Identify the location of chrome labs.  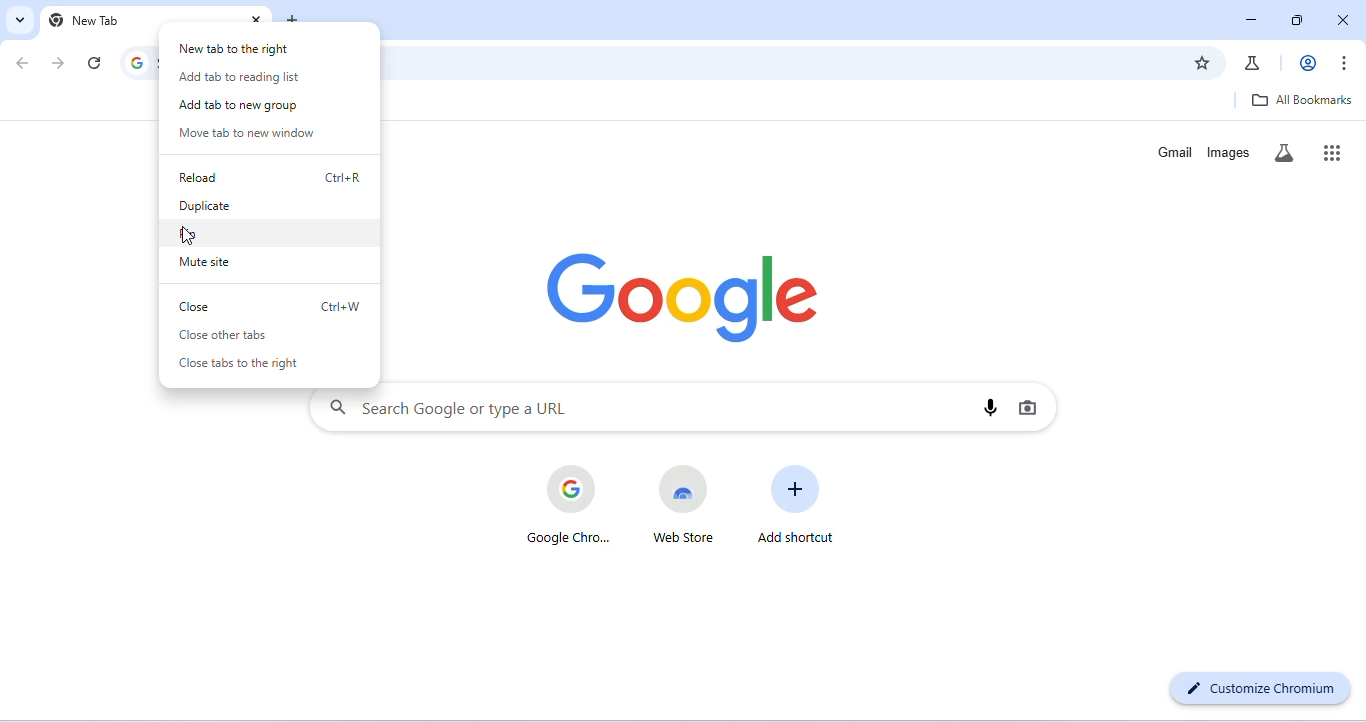
(1257, 61).